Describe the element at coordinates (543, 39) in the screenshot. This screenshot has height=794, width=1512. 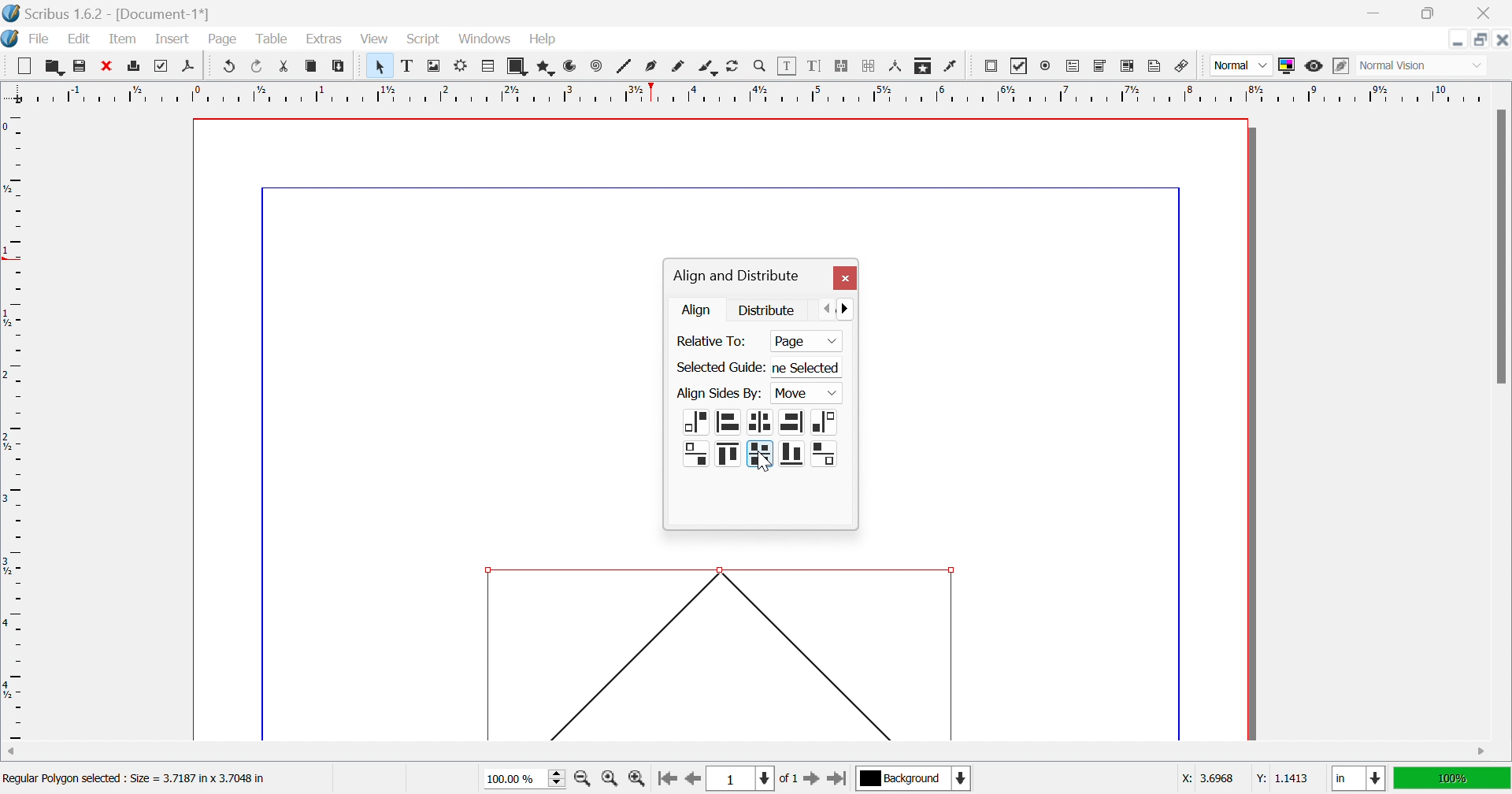
I see `Help` at that location.